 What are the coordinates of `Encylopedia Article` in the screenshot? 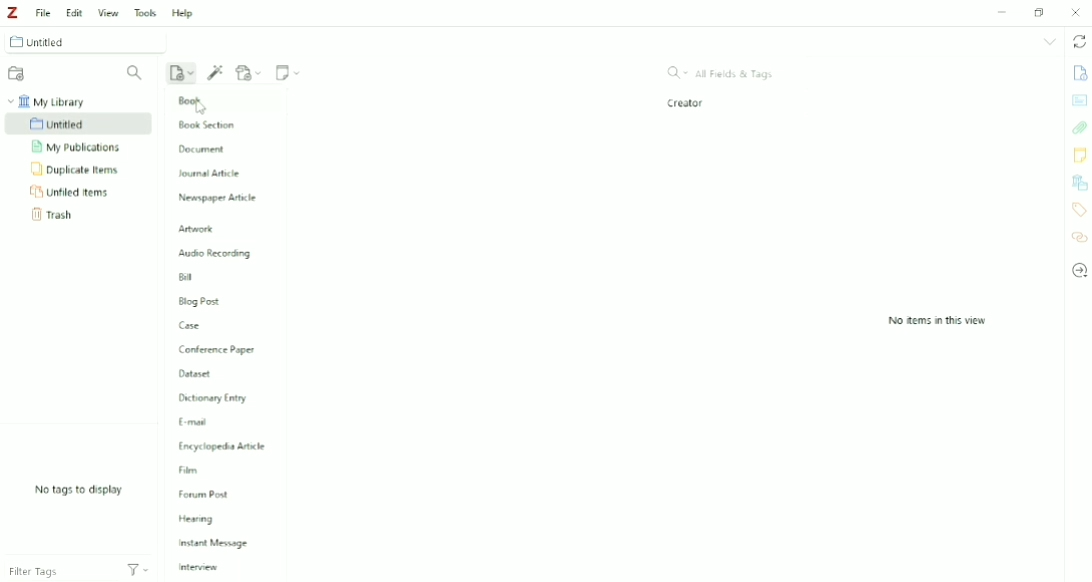 It's located at (223, 448).